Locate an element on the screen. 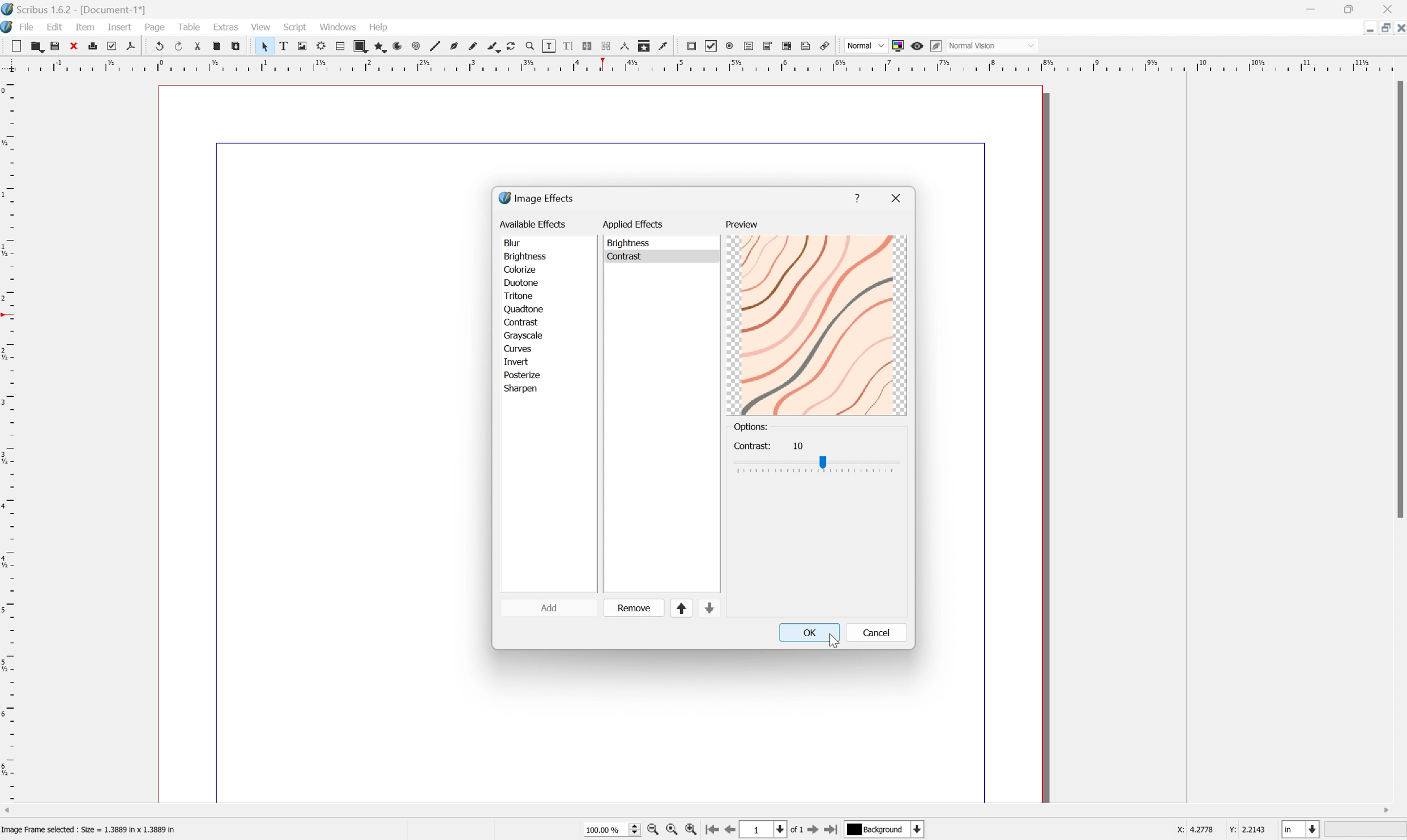  Extras is located at coordinates (226, 29).